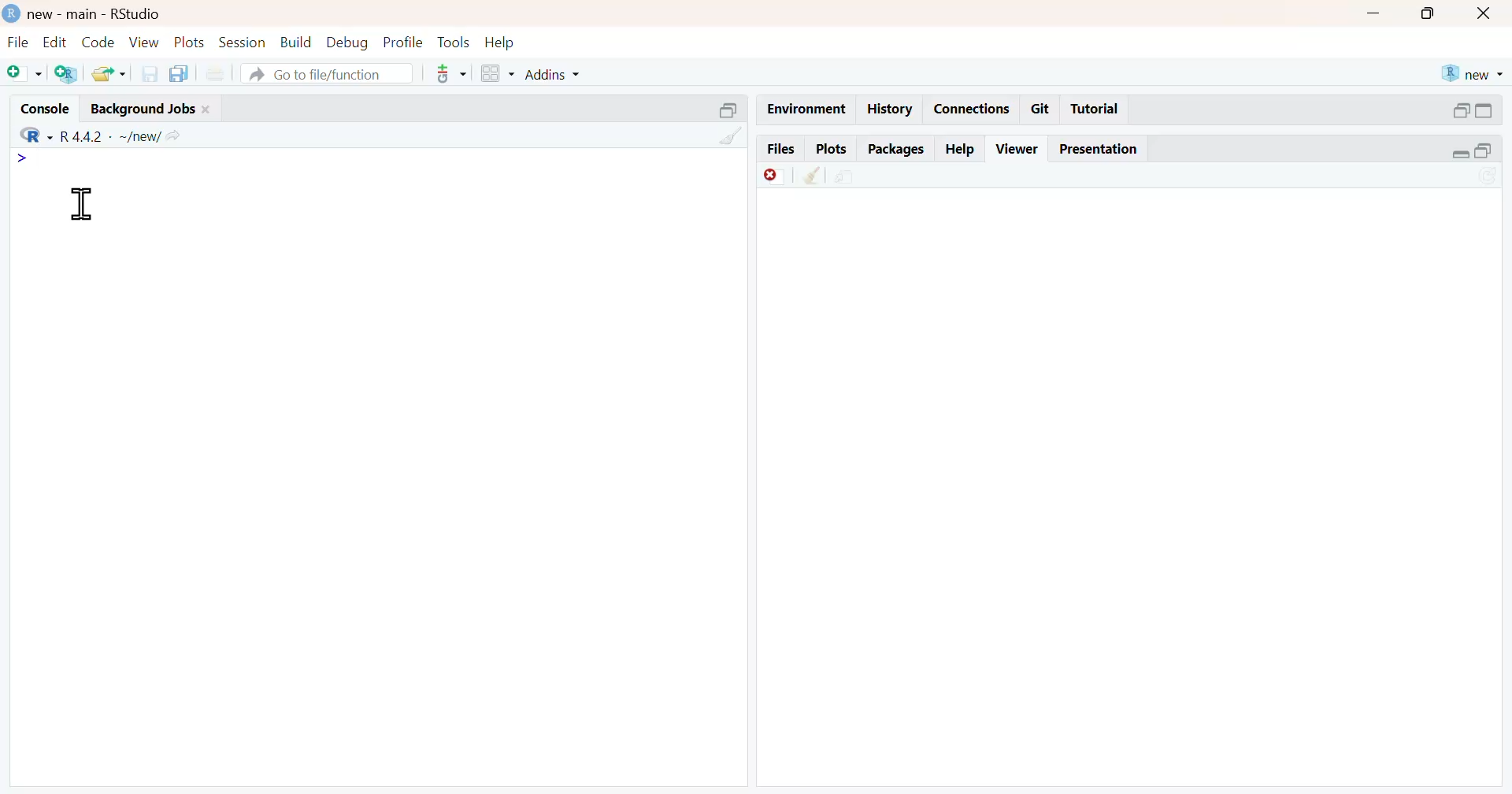  I want to click on workspace panes, so click(498, 74).